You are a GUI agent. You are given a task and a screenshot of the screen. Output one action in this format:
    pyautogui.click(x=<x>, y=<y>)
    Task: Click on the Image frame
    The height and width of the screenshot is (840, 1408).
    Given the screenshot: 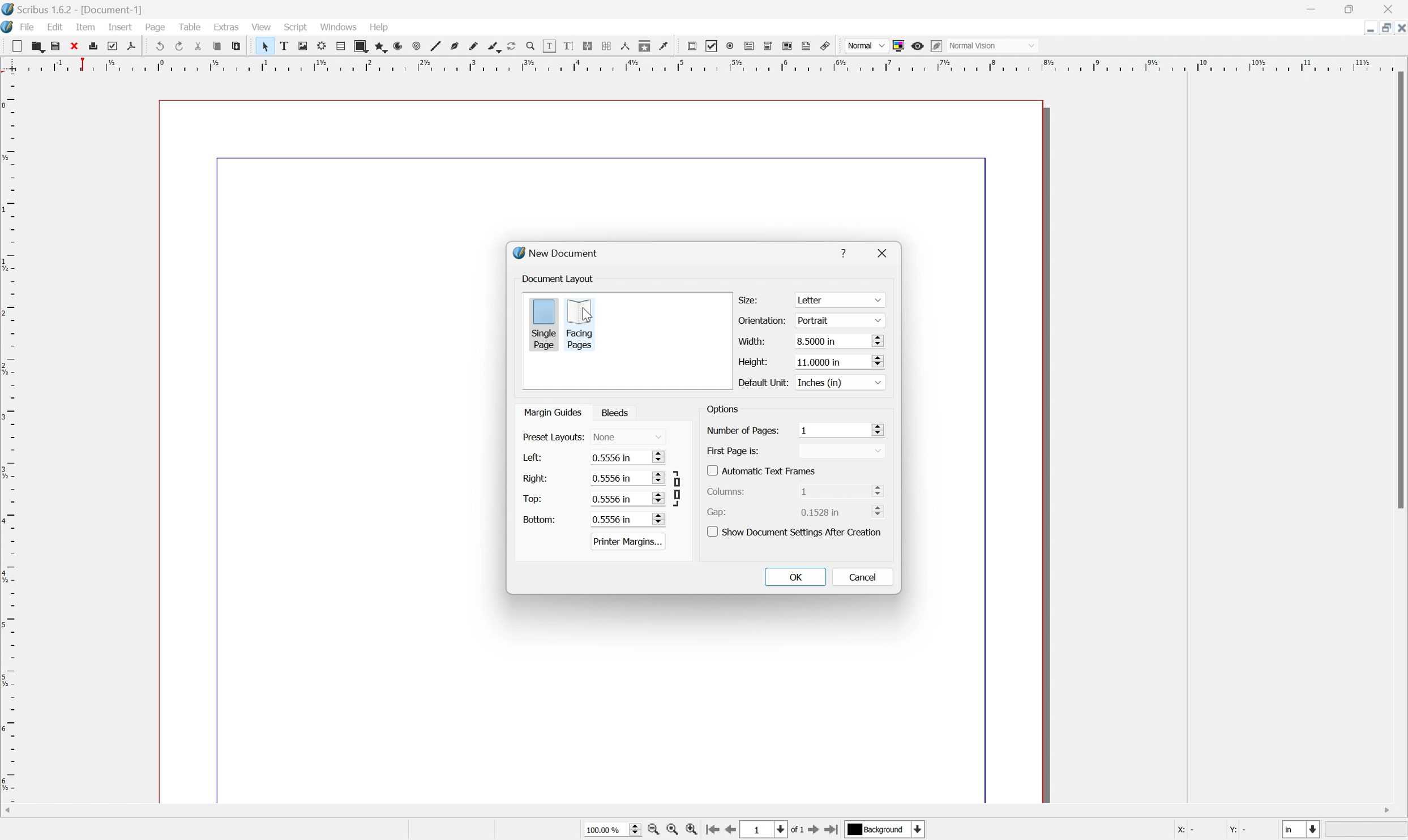 What is the action you would take?
    pyautogui.click(x=302, y=46)
    